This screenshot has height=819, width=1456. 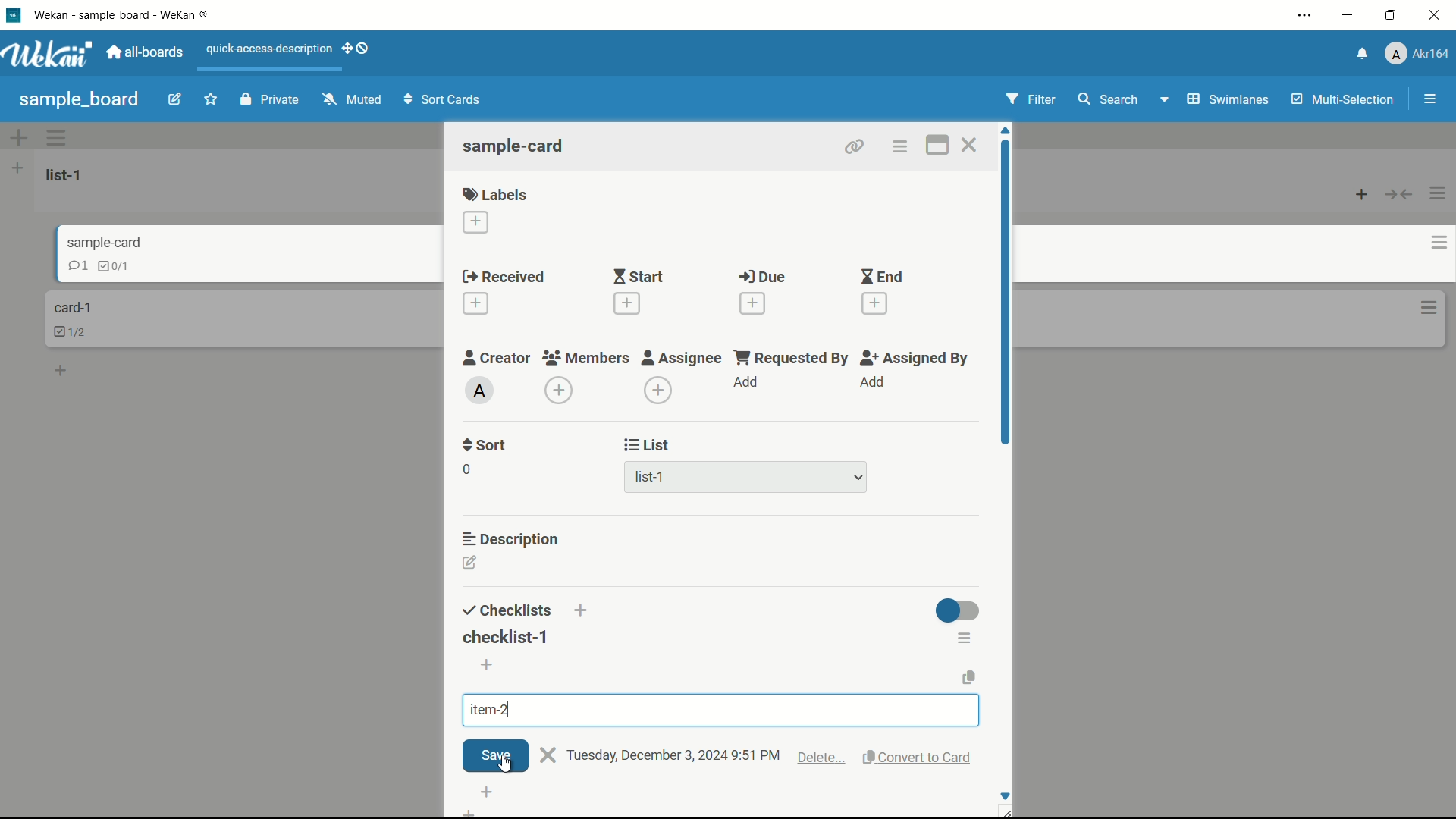 What do you see at coordinates (508, 611) in the screenshot?
I see `checklists` at bounding box center [508, 611].